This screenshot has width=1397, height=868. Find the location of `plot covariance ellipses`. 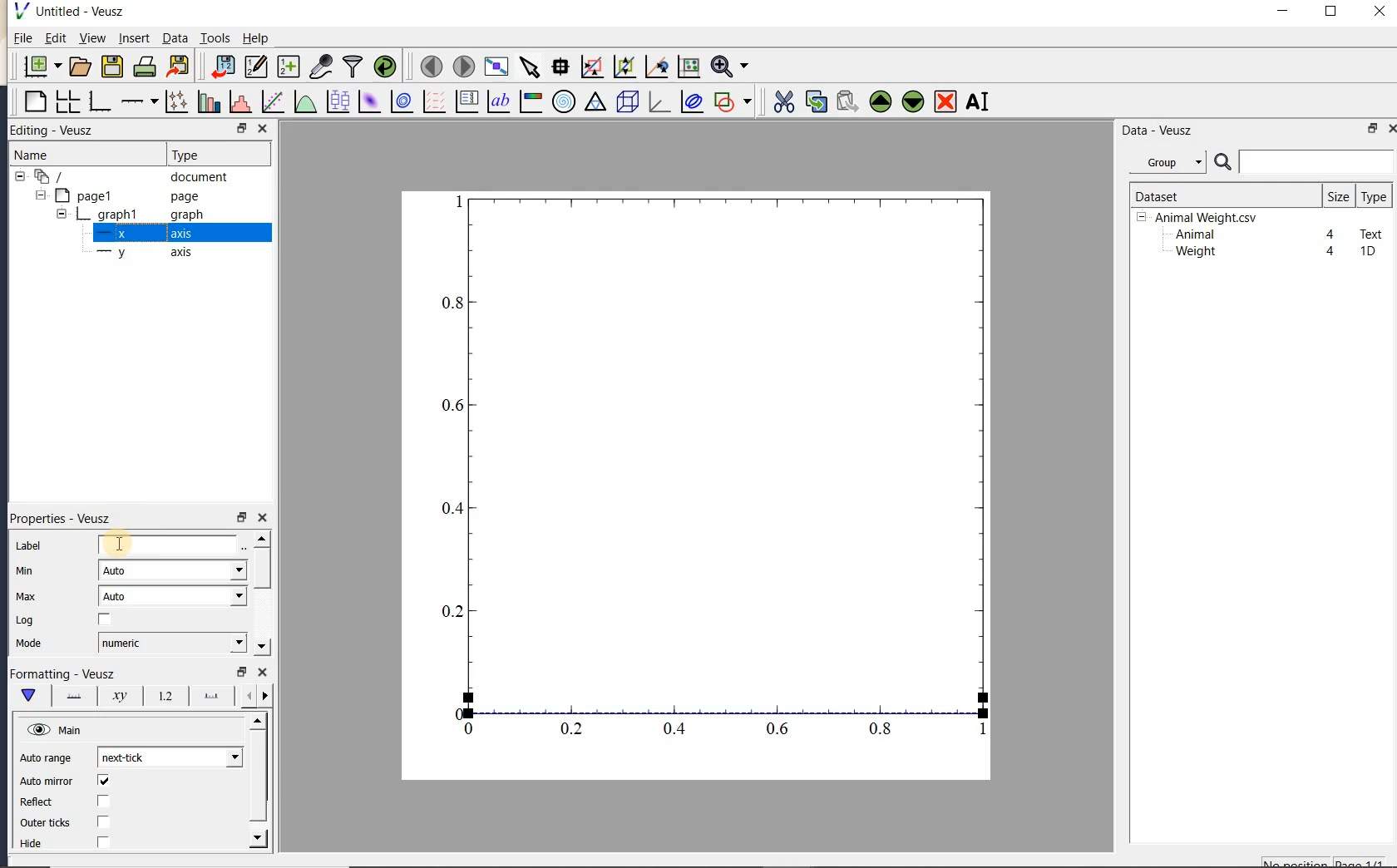

plot covariance ellipses is located at coordinates (690, 101).